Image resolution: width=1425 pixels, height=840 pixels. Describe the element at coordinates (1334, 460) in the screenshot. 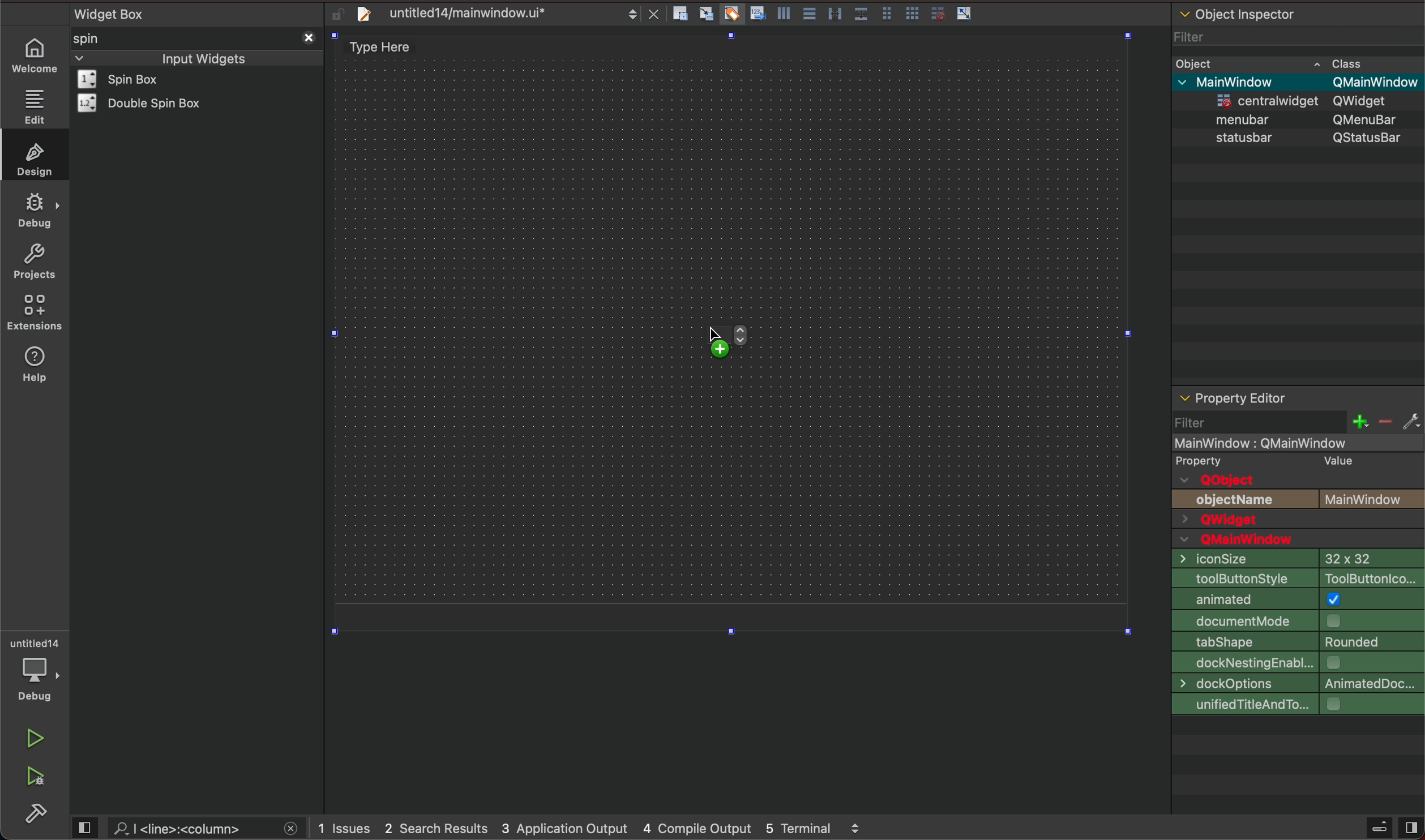

I see `text` at that location.